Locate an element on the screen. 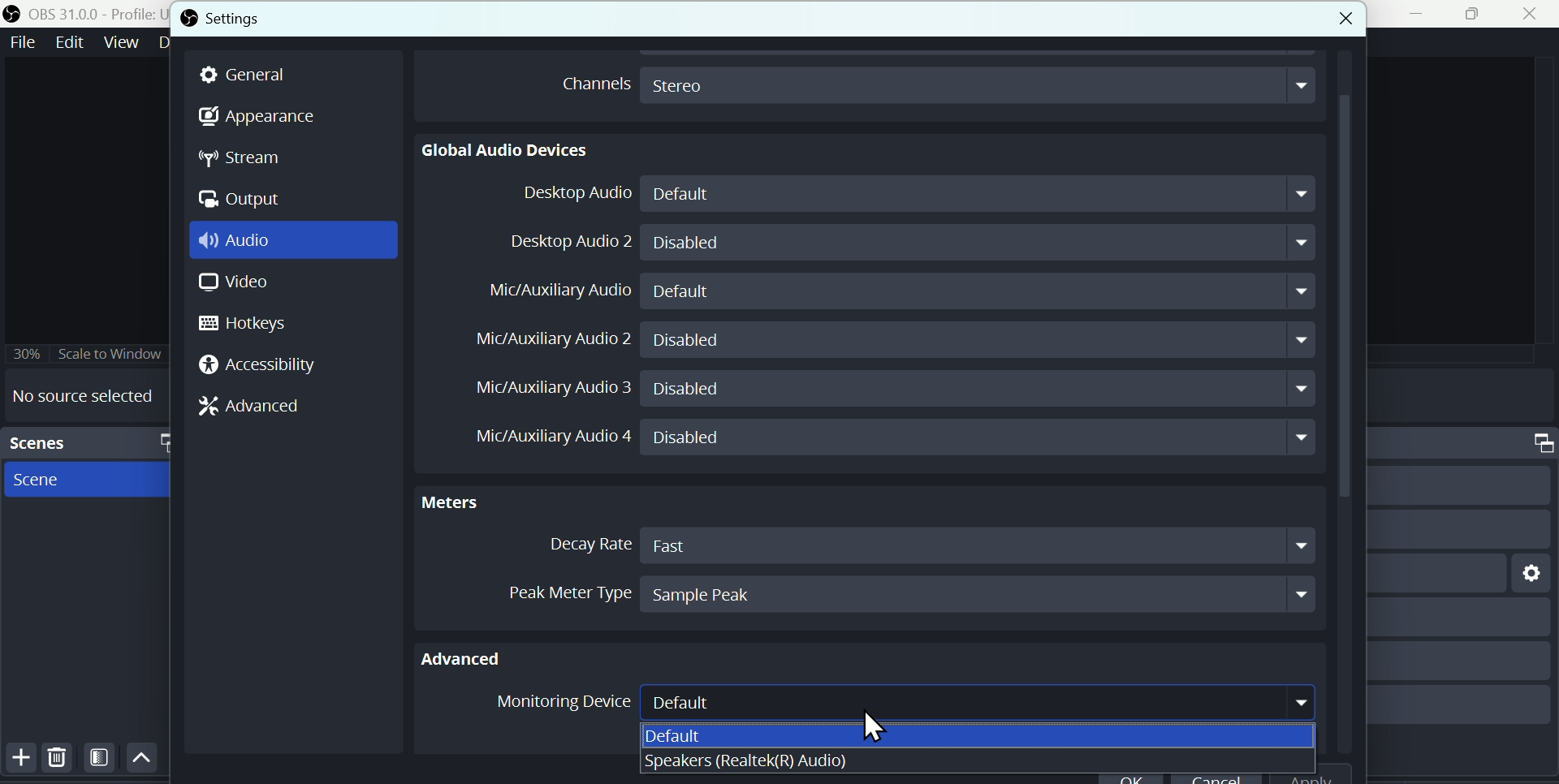  Fast is located at coordinates (983, 545).